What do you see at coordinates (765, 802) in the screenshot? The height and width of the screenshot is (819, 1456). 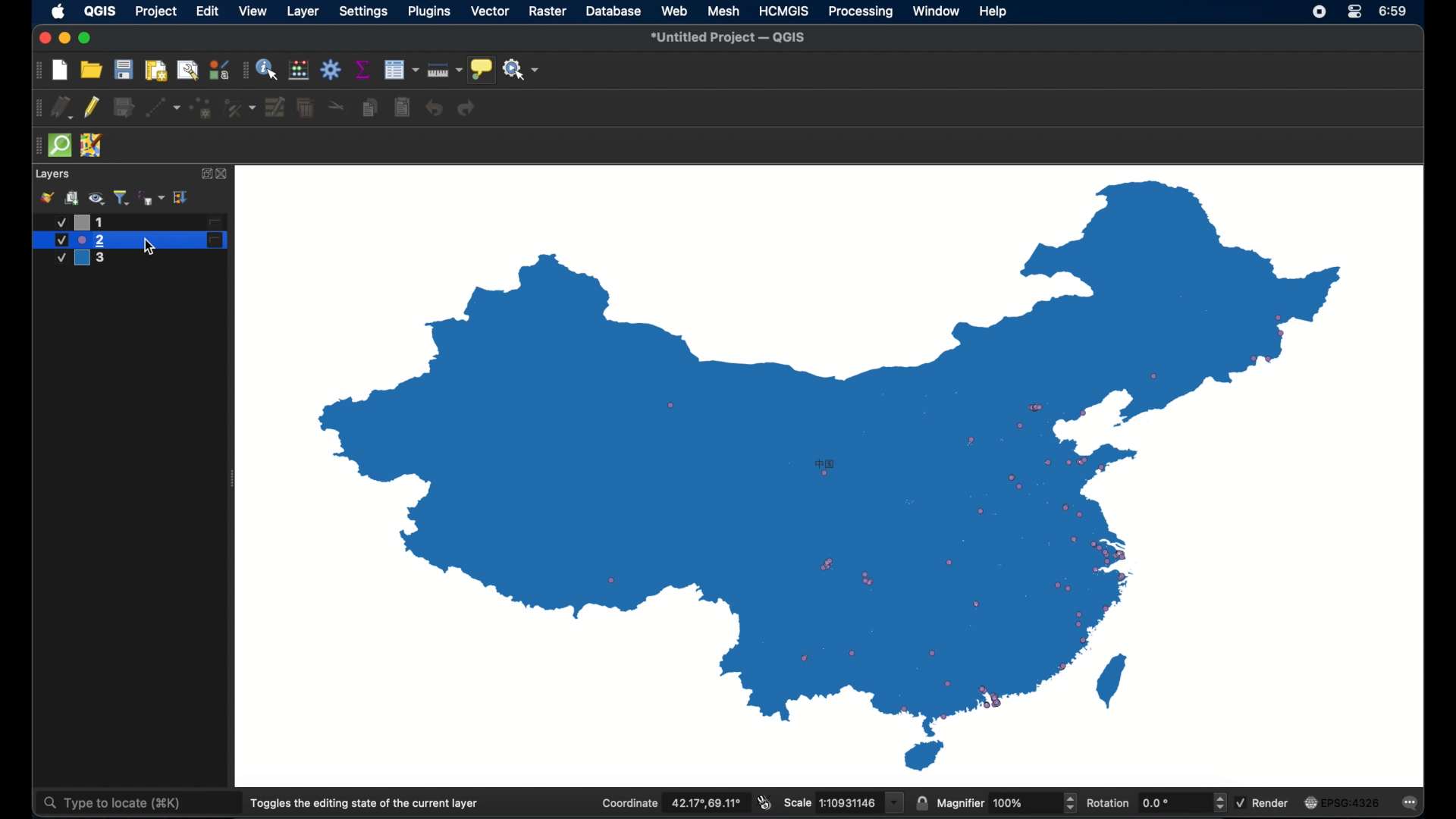 I see `toggle extents and mouse display position` at bounding box center [765, 802].